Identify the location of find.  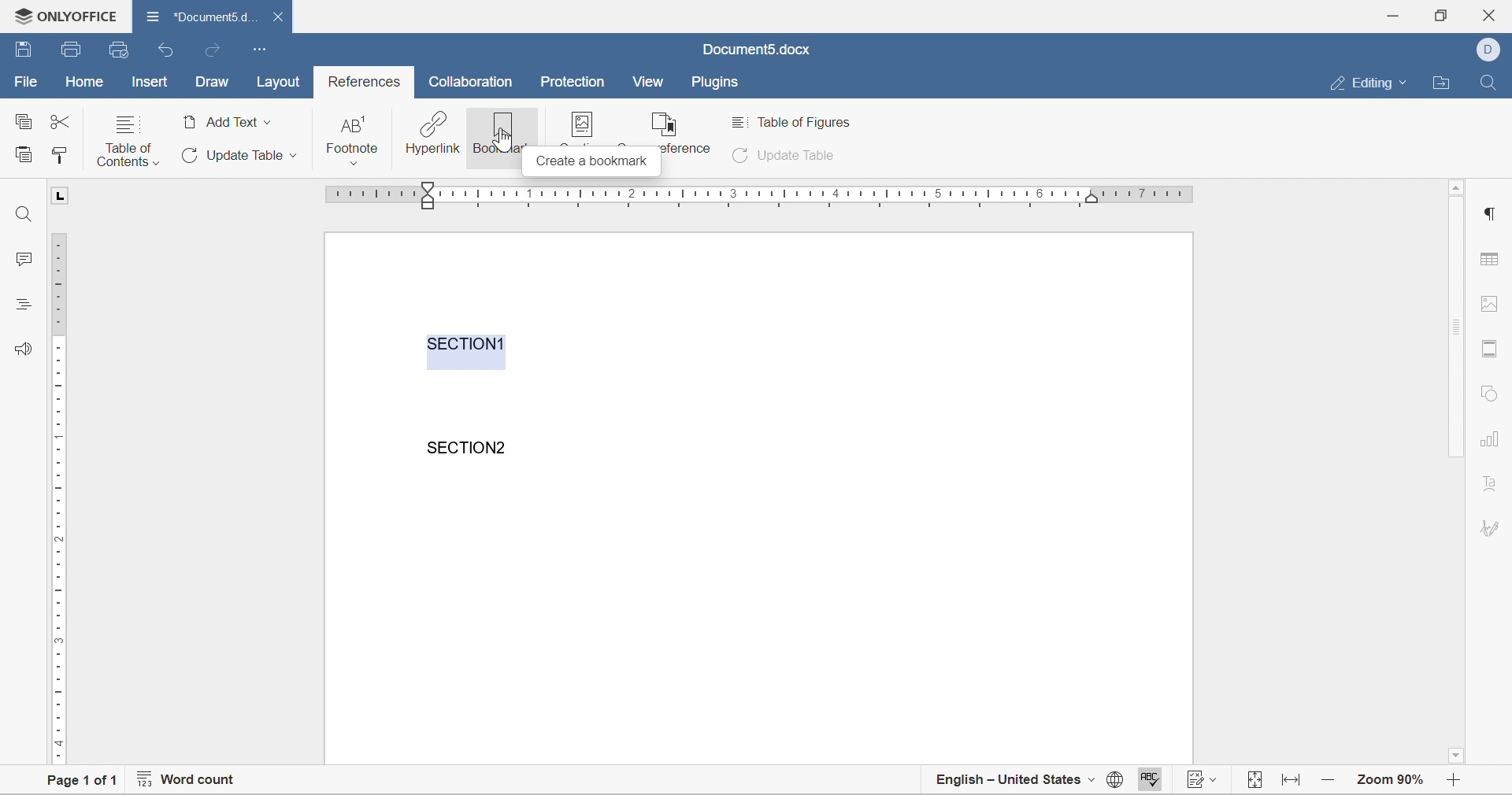
(24, 214).